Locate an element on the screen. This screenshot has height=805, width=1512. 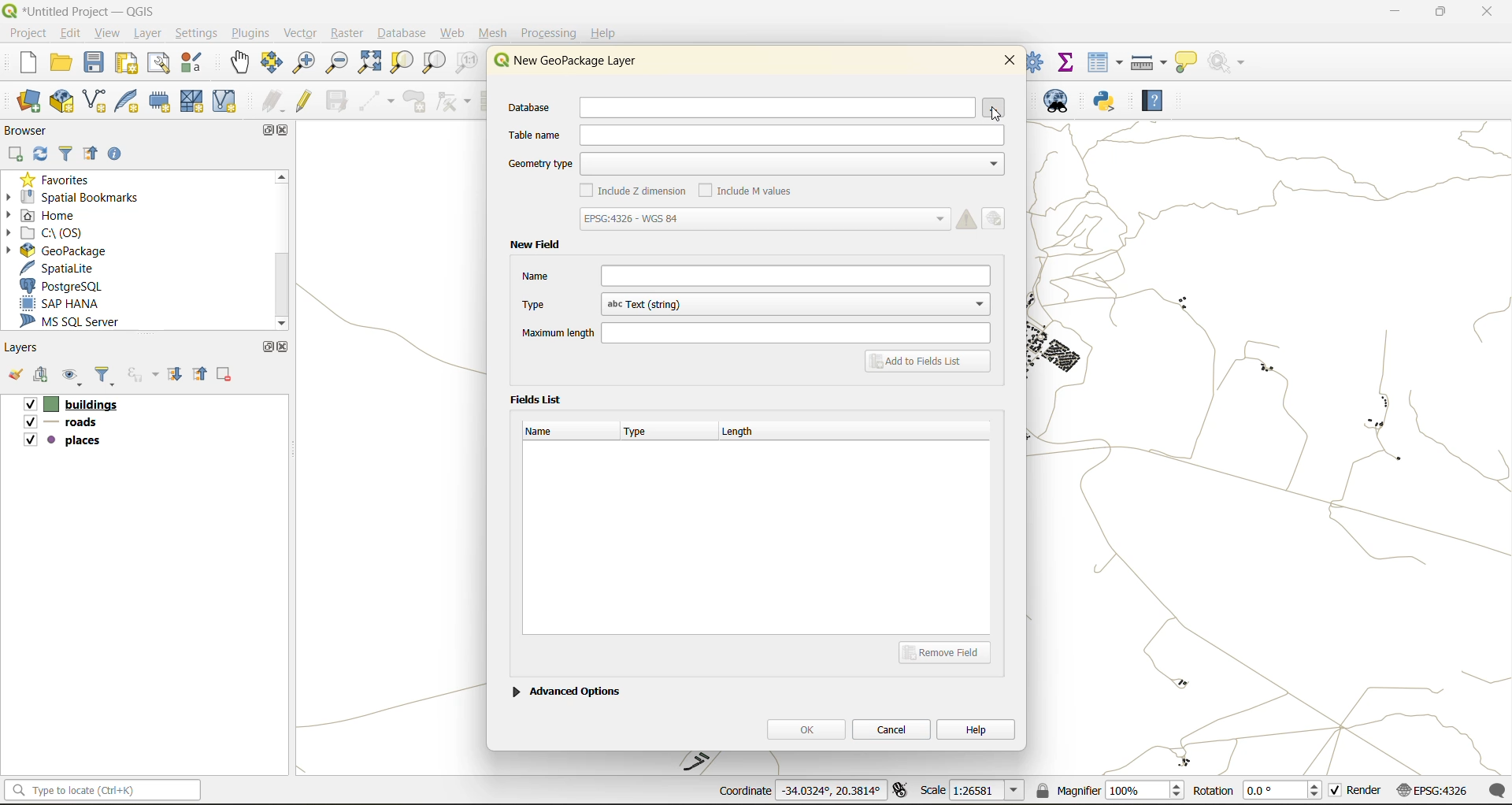
pan map is located at coordinates (240, 65).